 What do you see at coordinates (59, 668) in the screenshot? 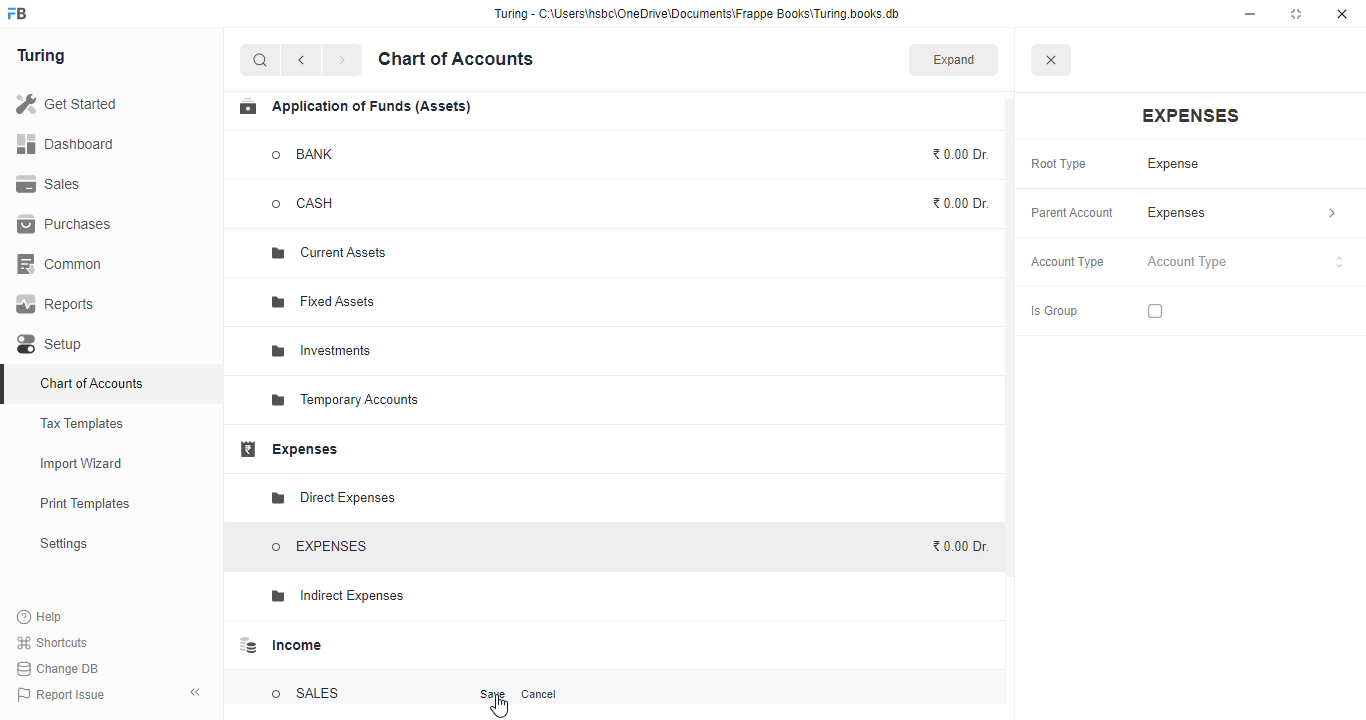
I see `change DB` at bounding box center [59, 668].